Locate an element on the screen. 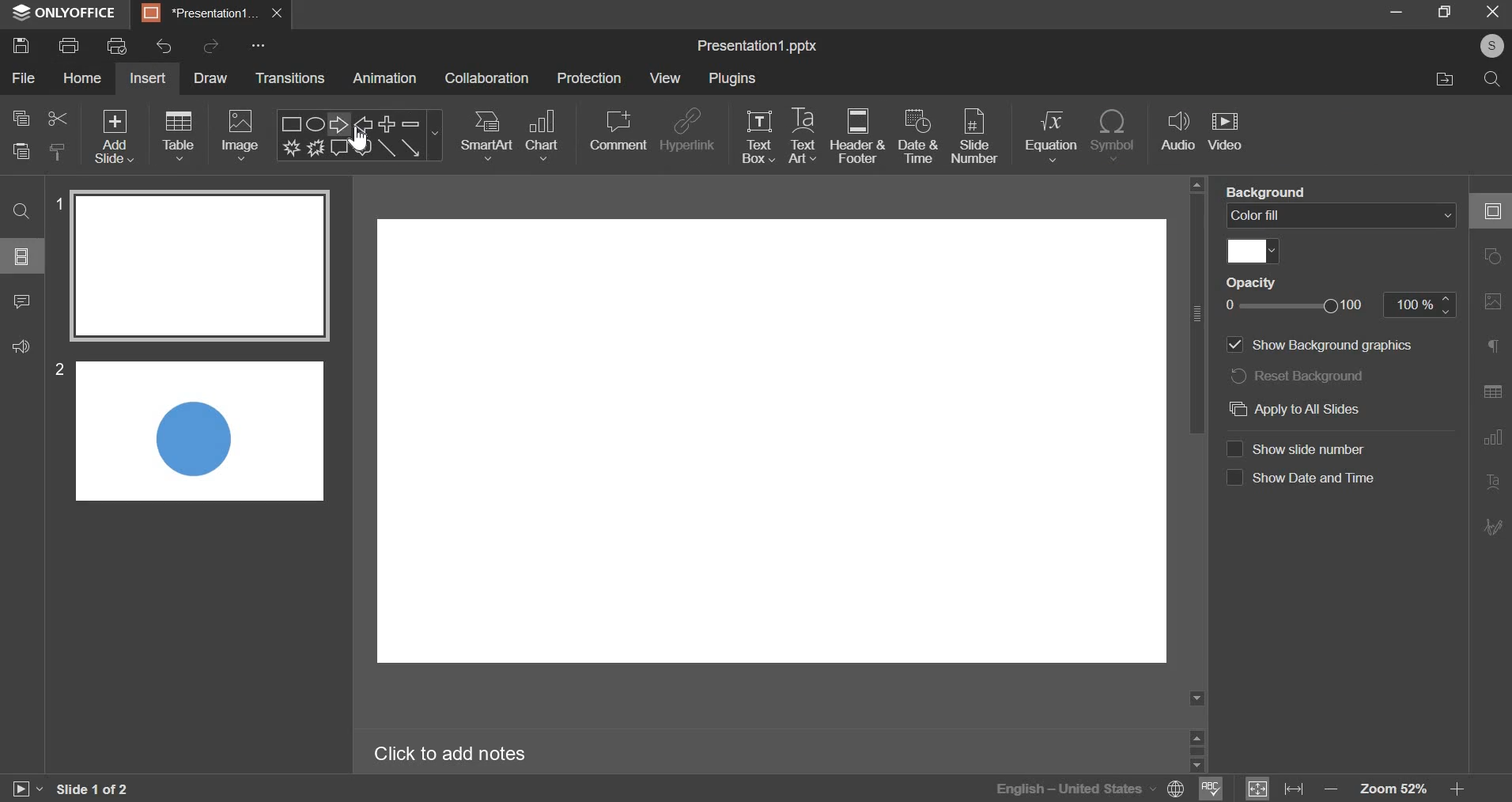  image is located at coordinates (242, 134).